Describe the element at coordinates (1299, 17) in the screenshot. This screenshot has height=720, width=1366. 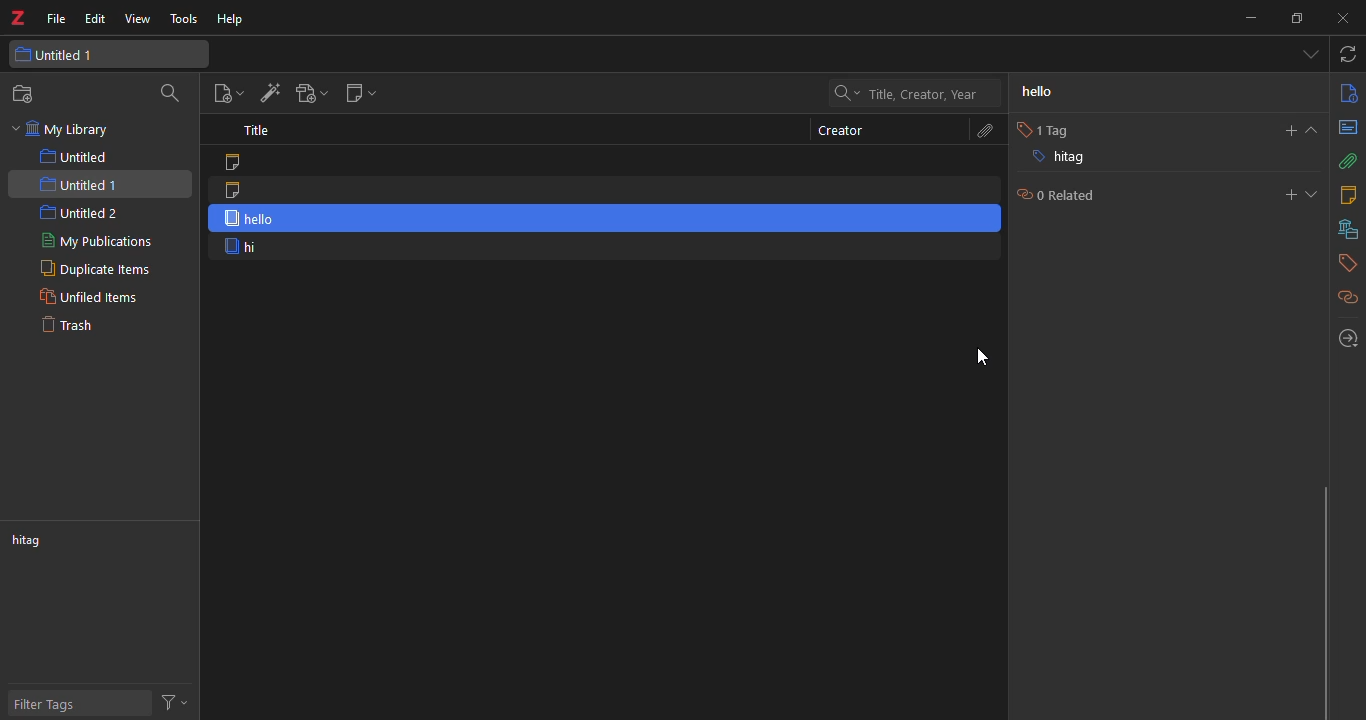
I see `maximize` at that location.